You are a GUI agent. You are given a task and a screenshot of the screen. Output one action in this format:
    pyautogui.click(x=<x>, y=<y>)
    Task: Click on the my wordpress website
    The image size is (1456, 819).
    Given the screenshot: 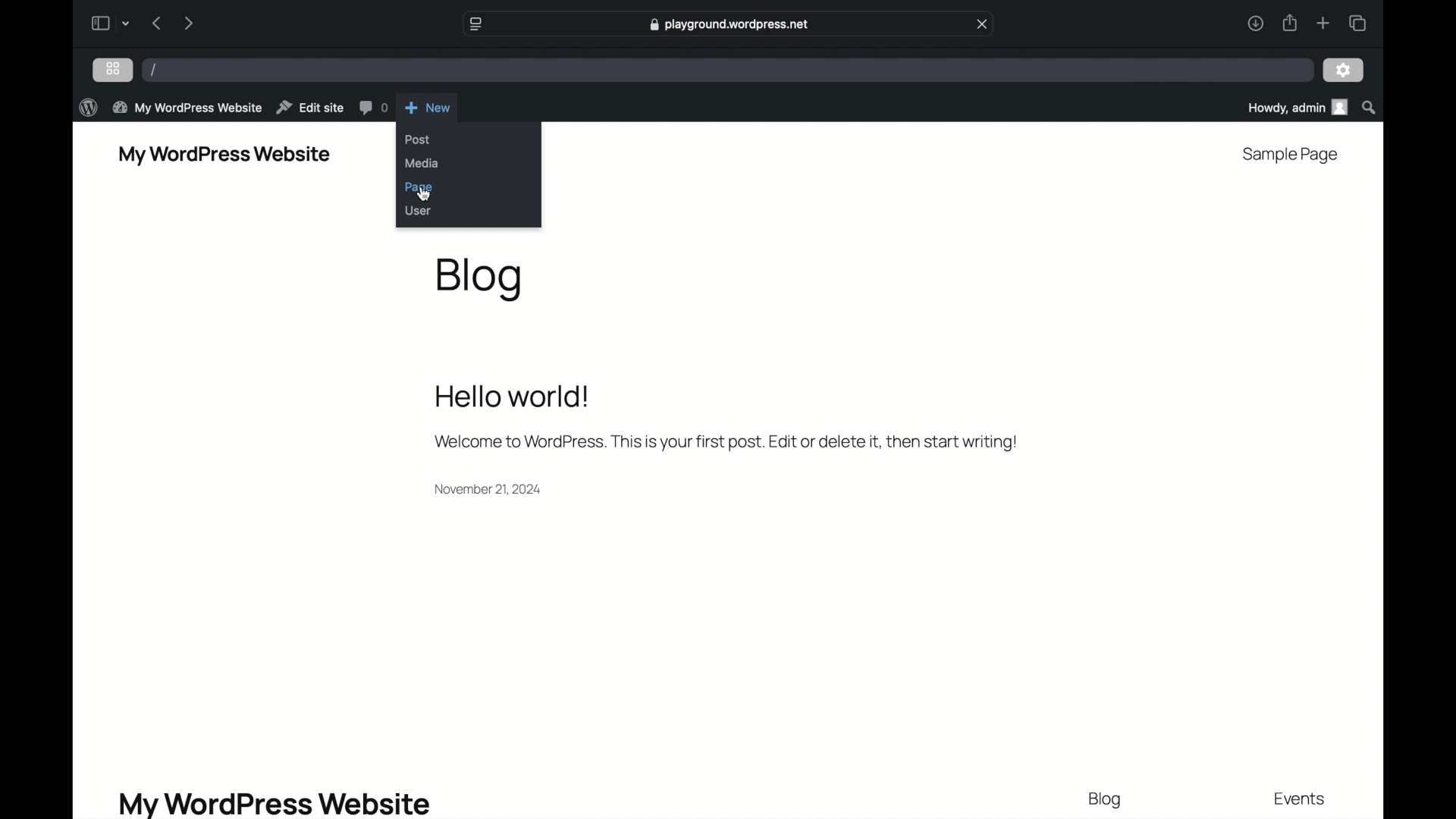 What is the action you would take?
    pyautogui.click(x=224, y=154)
    